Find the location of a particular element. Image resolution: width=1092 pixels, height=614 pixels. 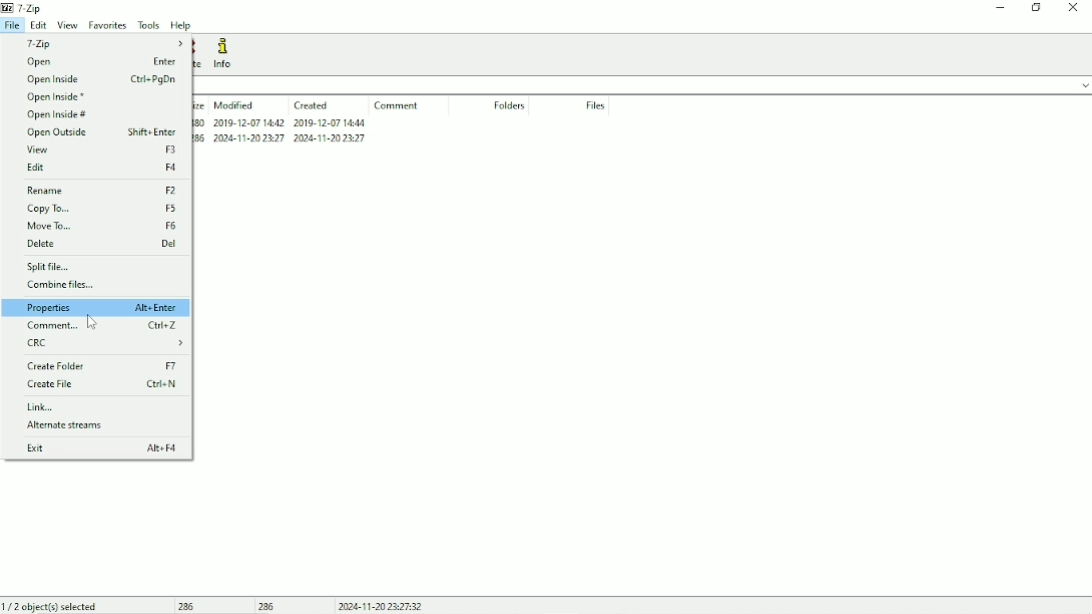

Combine files is located at coordinates (63, 284).